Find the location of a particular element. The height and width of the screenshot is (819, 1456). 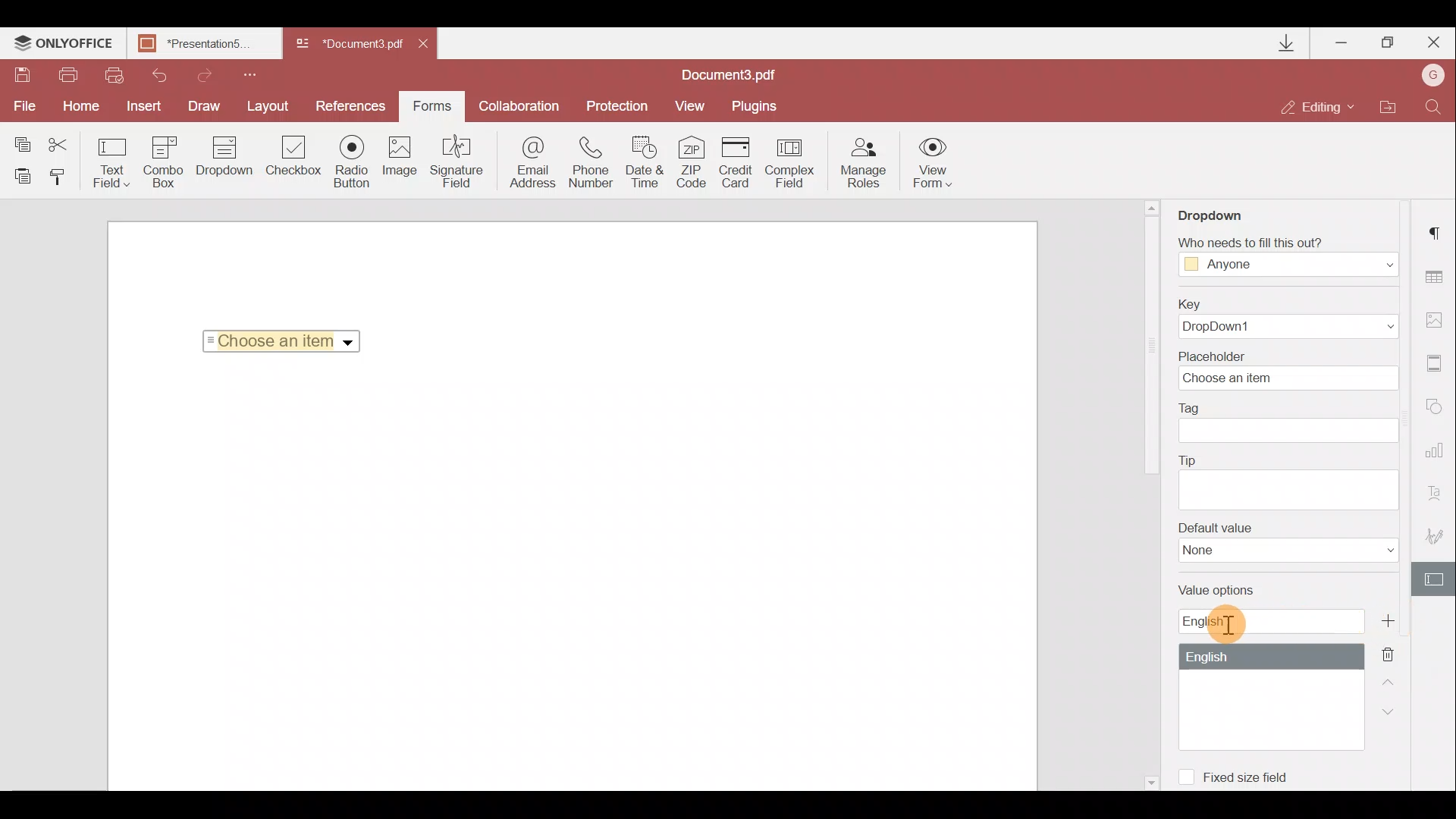

Value options is located at coordinates (1270, 668).